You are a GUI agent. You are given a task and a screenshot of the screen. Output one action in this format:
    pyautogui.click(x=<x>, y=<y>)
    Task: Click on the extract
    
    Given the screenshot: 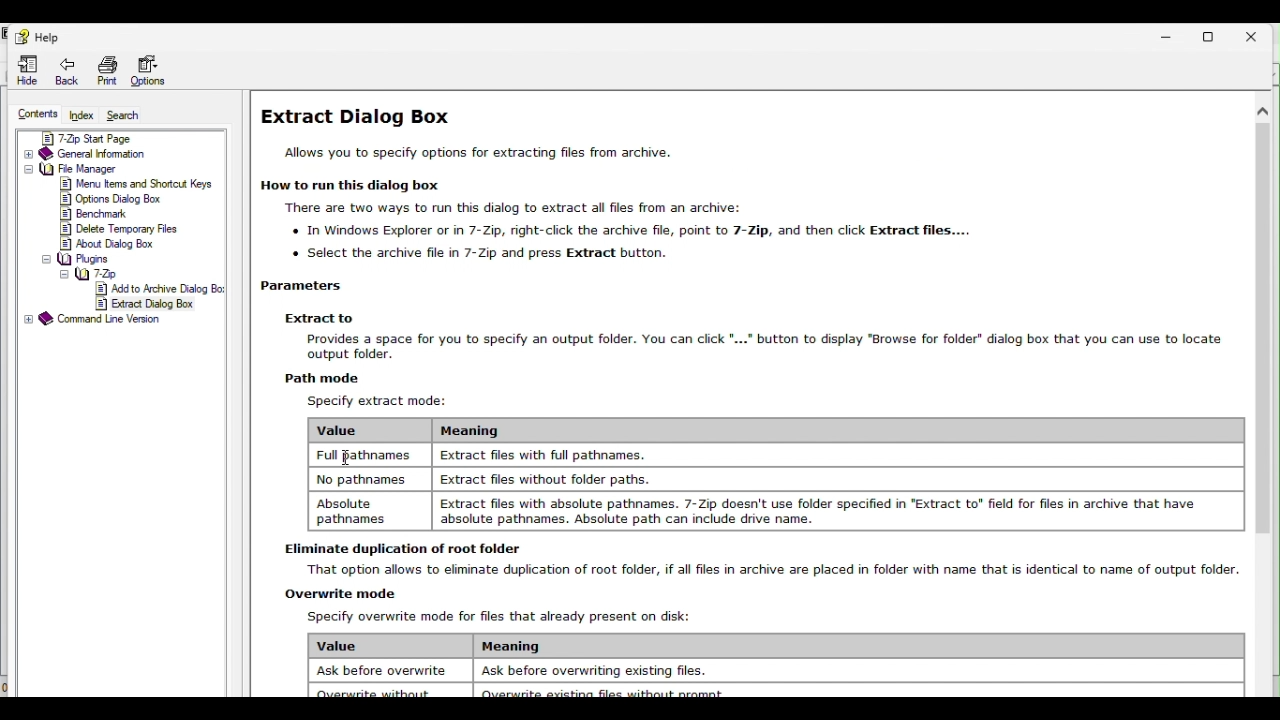 What is the action you would take?
    pyautogui.click(x=146, y=303)
    